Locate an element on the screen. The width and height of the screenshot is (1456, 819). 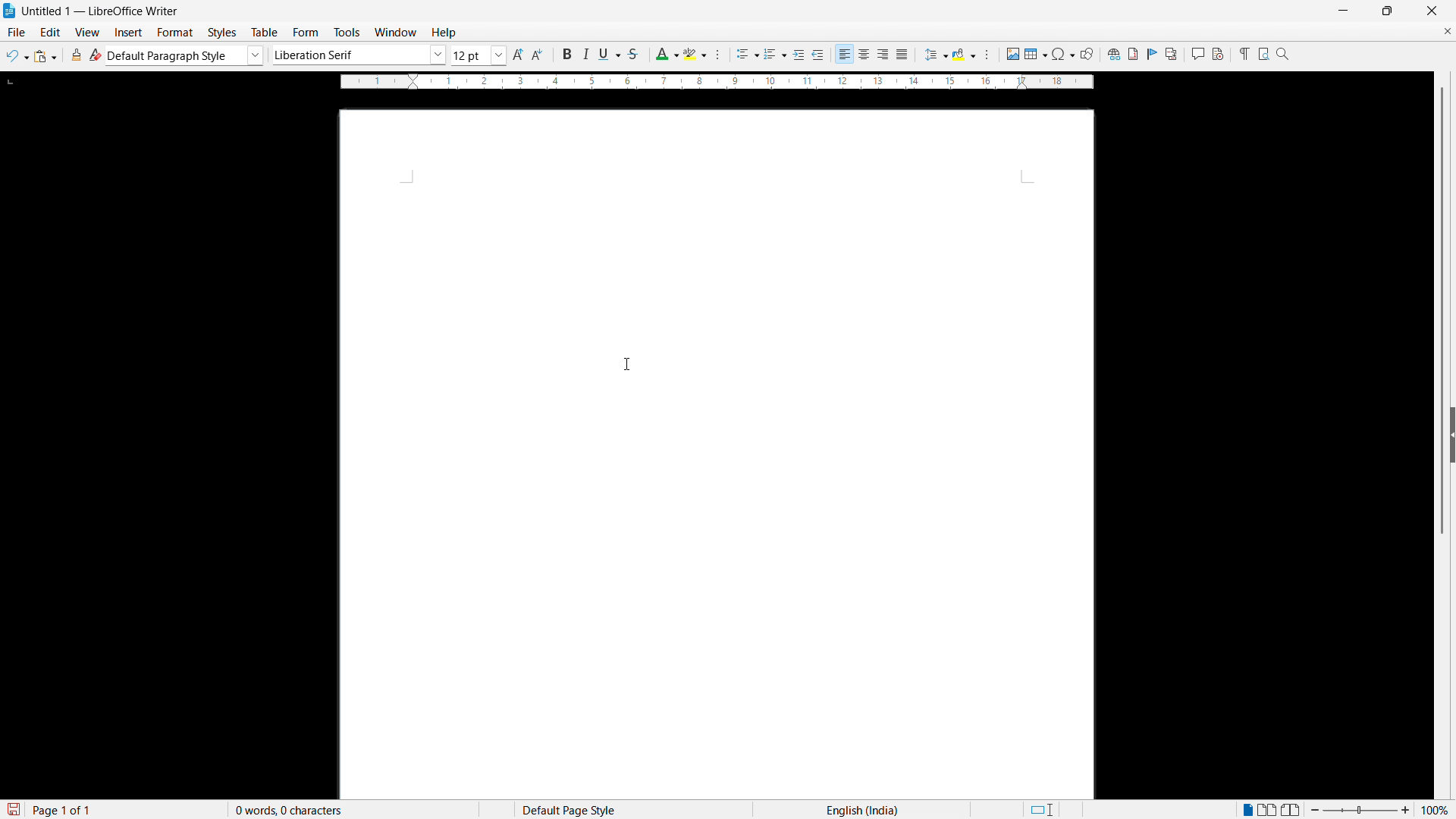
Single page view  is located at coordinates (1249, 808).